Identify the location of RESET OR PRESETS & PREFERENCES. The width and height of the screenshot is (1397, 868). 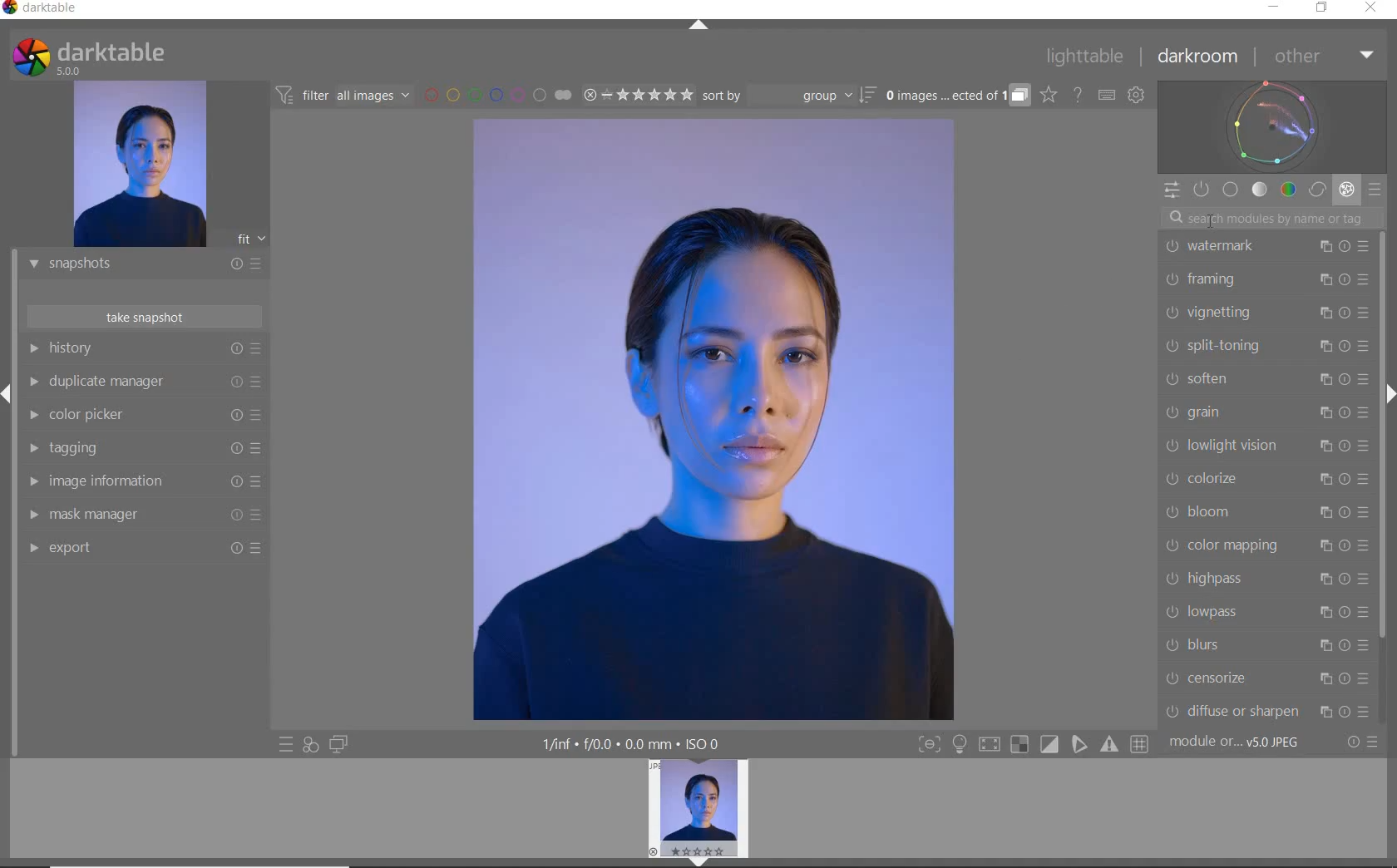
(1365, 742).